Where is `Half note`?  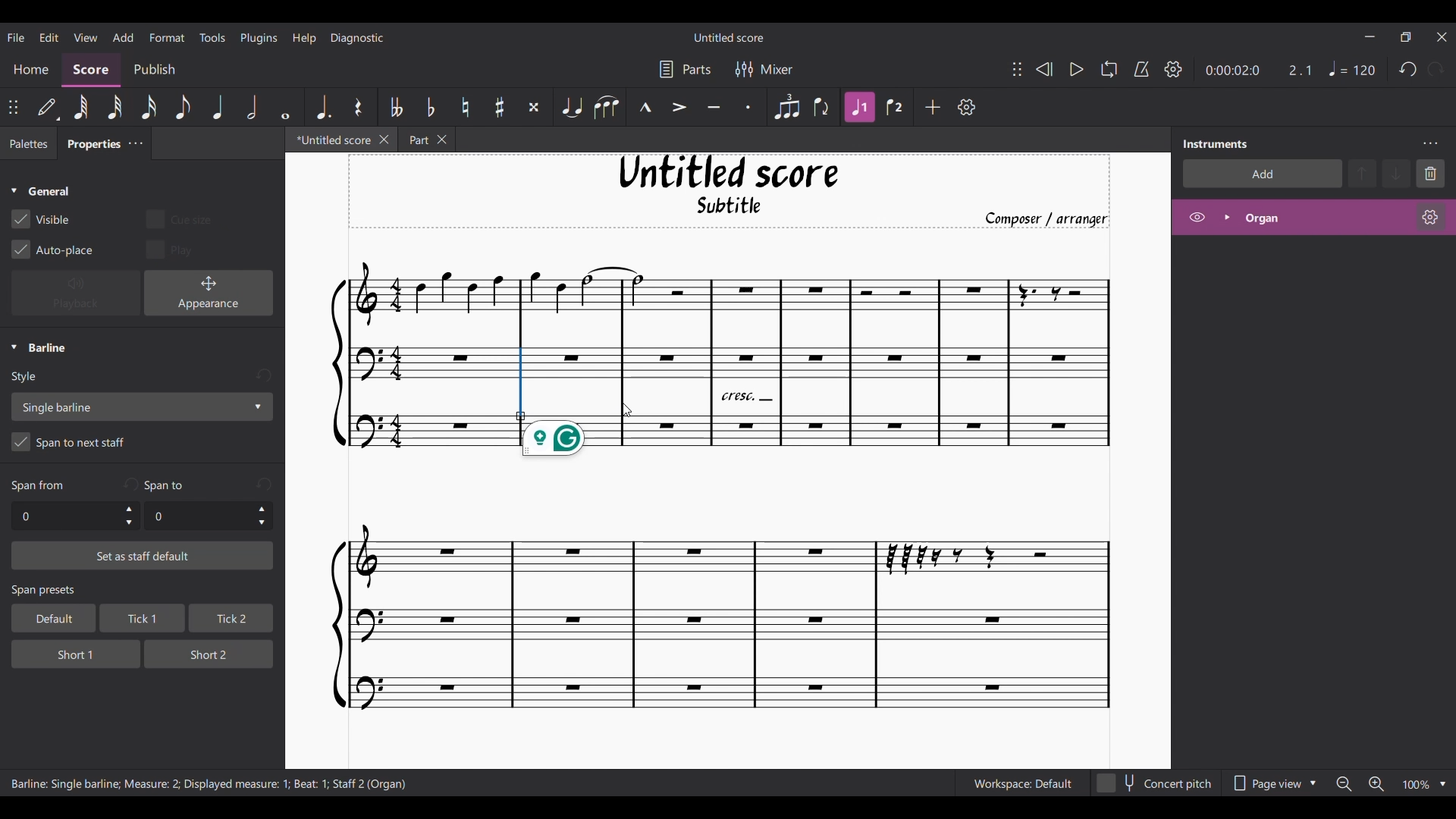 Half note is located at coordinates (253, 106).